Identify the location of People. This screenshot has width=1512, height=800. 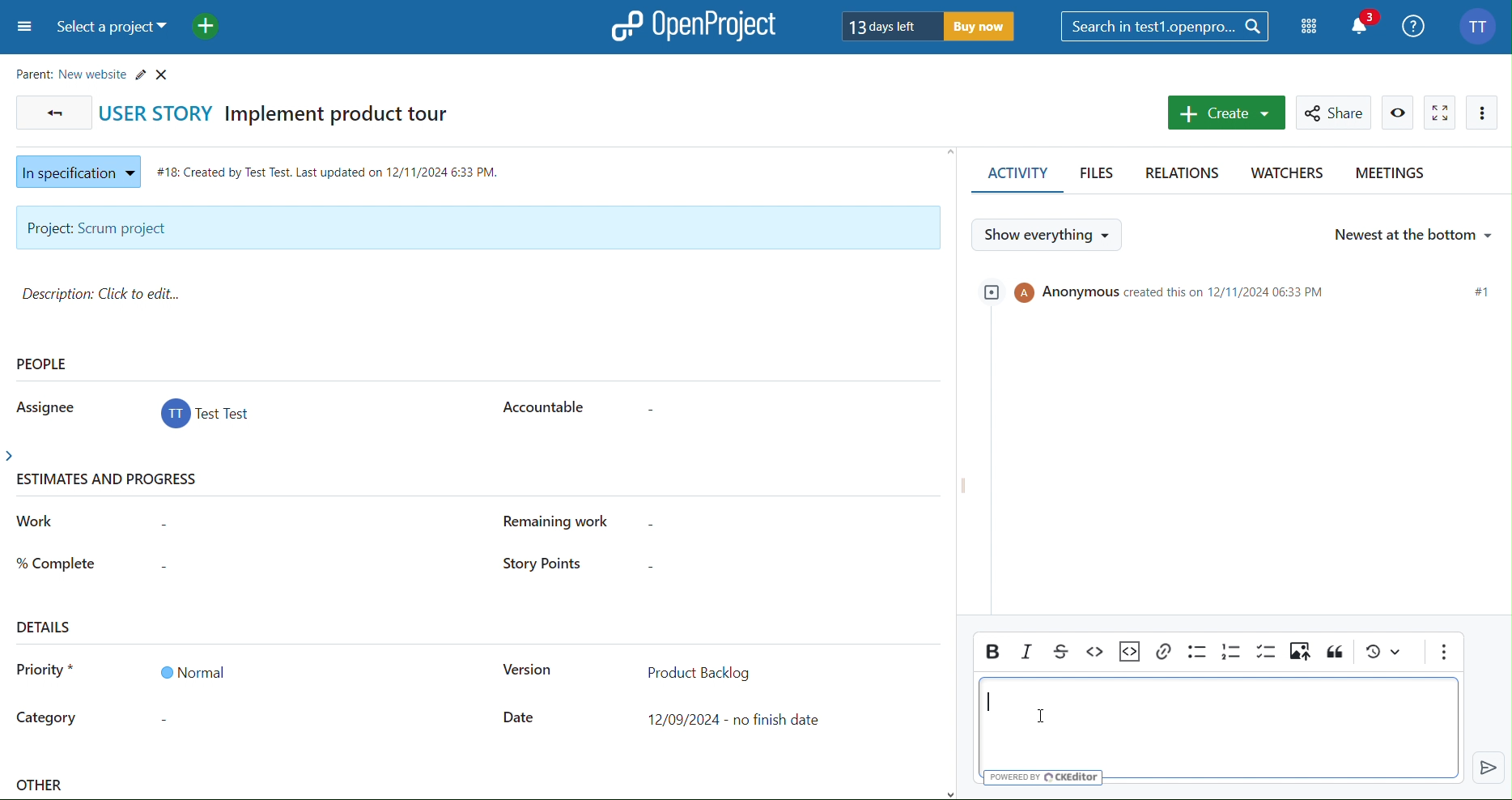
(44, 364).